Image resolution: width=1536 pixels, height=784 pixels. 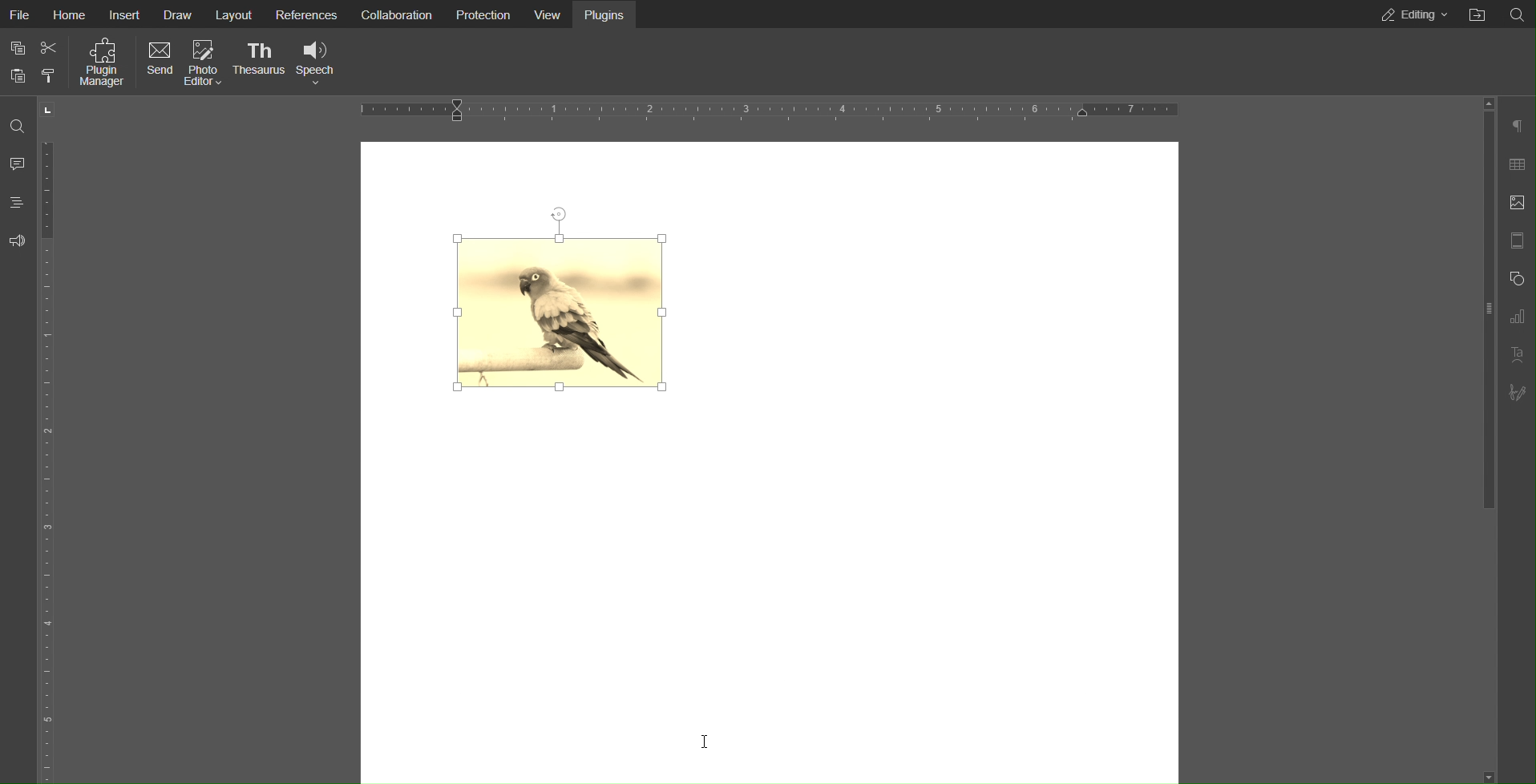 I want to click on Paragraph Settings, so click(x=1518, y=127).